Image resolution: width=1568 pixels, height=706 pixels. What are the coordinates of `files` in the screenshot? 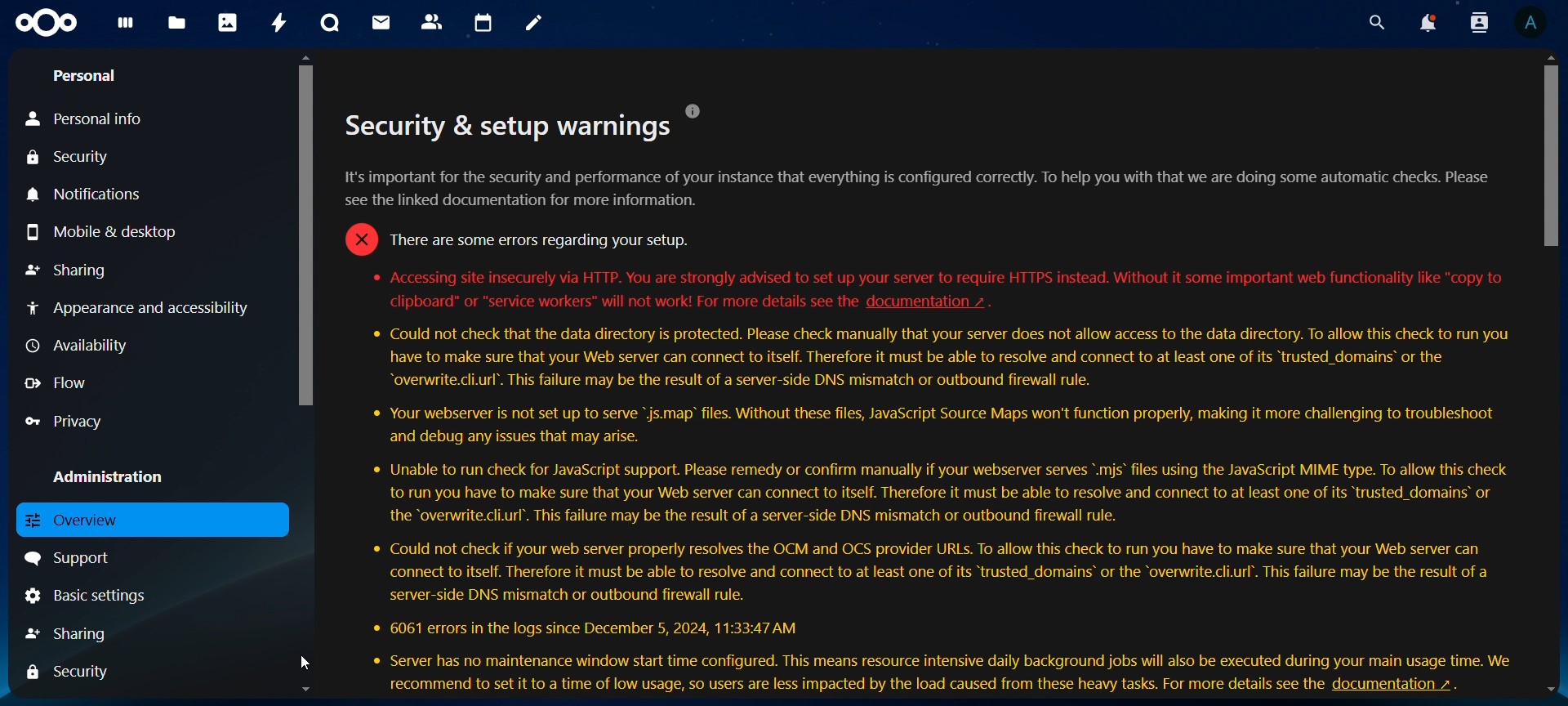 It's located at (178, 23).